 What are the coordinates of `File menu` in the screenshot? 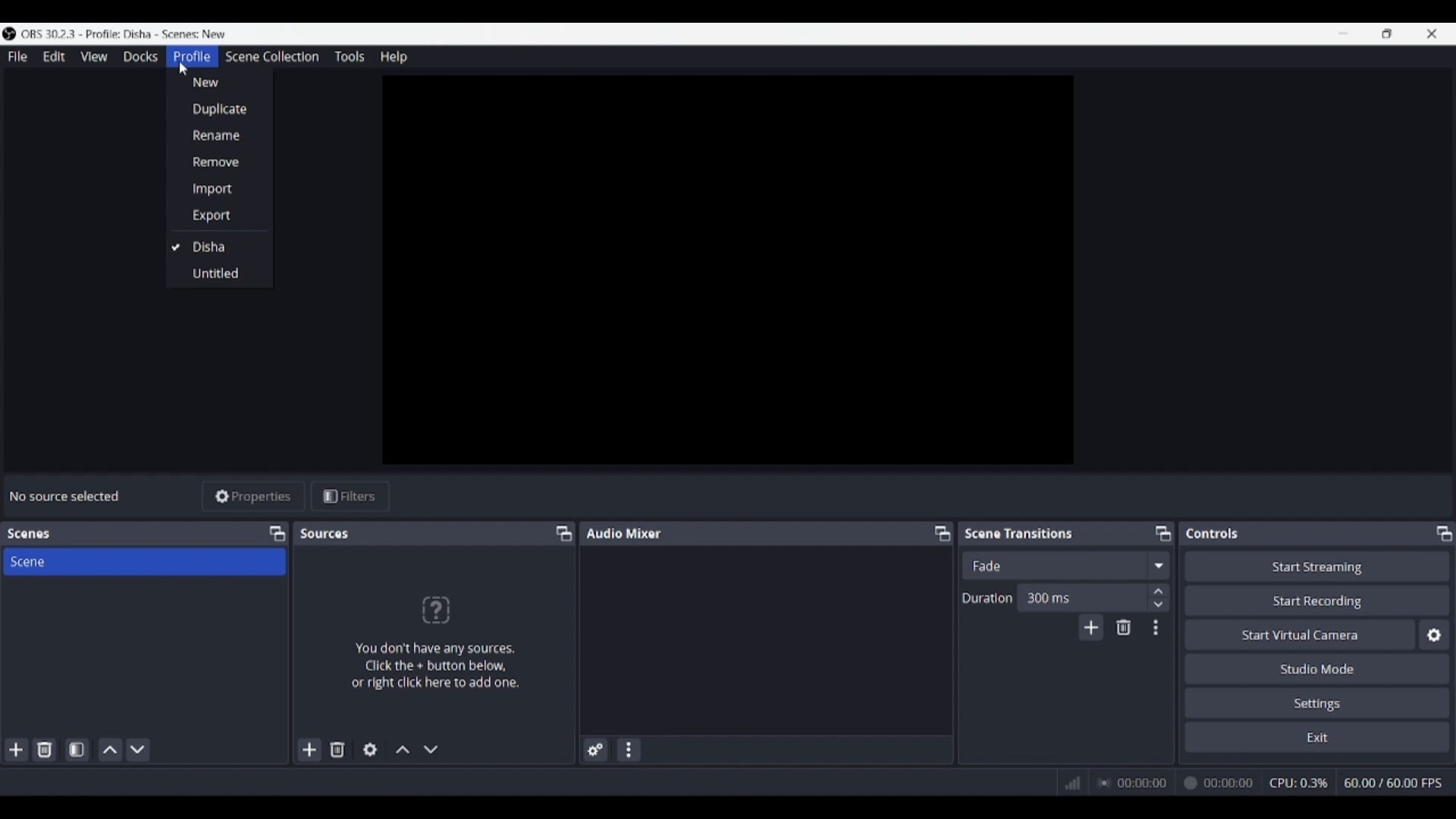 It's located at (17, 56).